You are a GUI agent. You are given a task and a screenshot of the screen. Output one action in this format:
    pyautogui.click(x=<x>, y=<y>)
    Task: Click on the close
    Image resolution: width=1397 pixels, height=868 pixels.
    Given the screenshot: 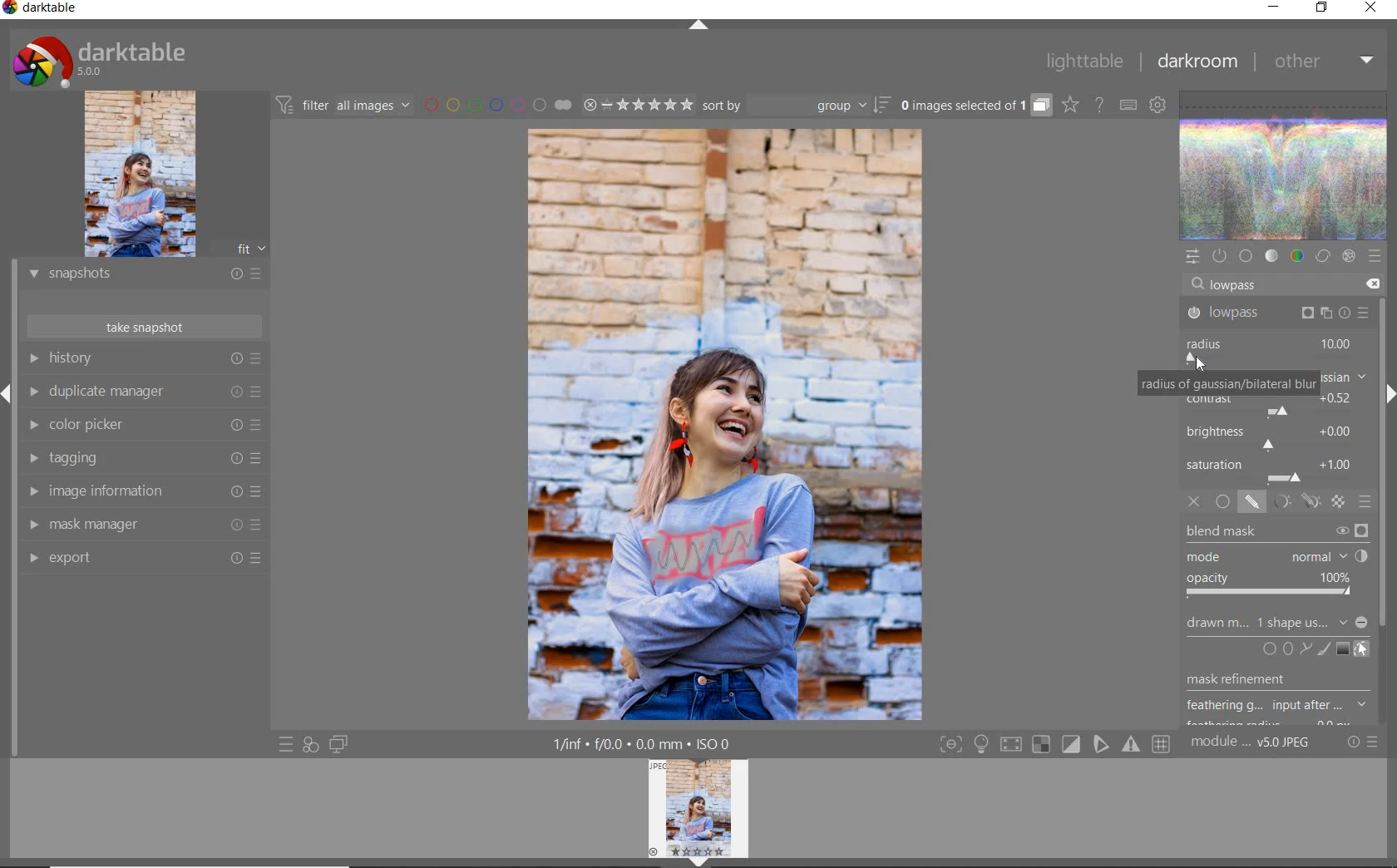 What is the action you would take?
    pyautogui.click(x=1370, y=9)
    